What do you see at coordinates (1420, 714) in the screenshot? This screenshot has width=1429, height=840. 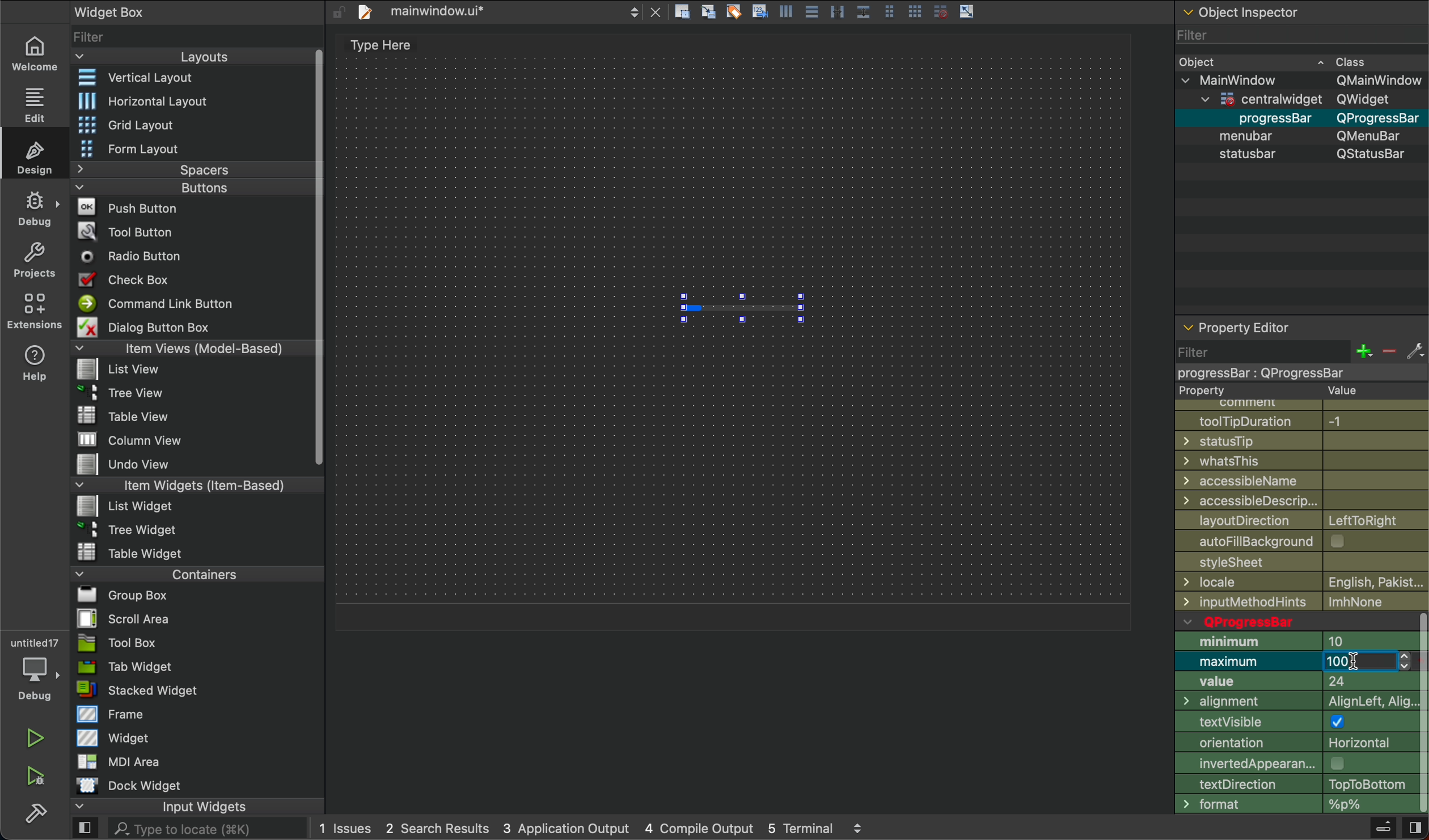 I see `vertical scrollbar` at bounding box center [1420, 714].